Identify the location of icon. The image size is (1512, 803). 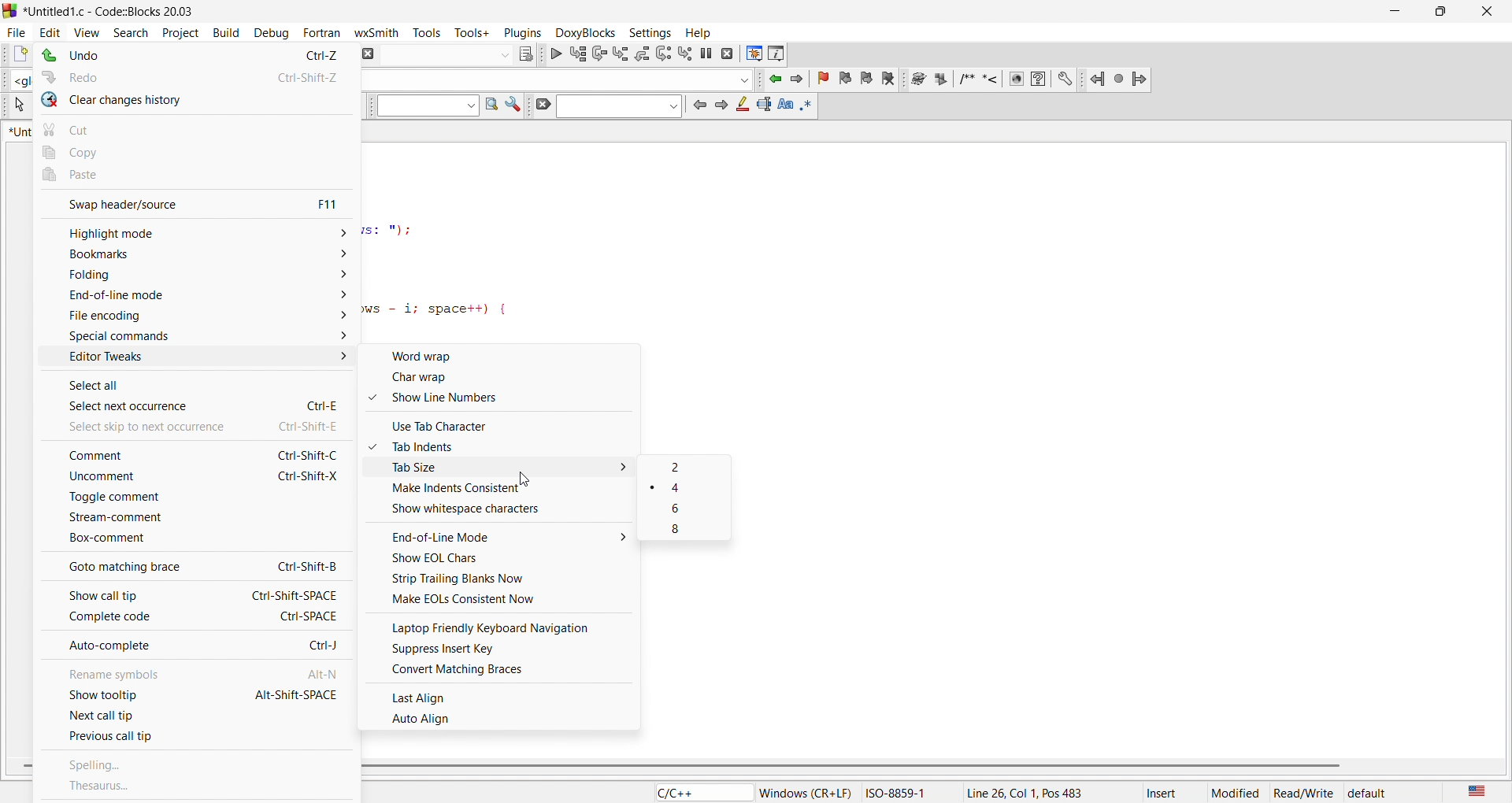
(742, 109).